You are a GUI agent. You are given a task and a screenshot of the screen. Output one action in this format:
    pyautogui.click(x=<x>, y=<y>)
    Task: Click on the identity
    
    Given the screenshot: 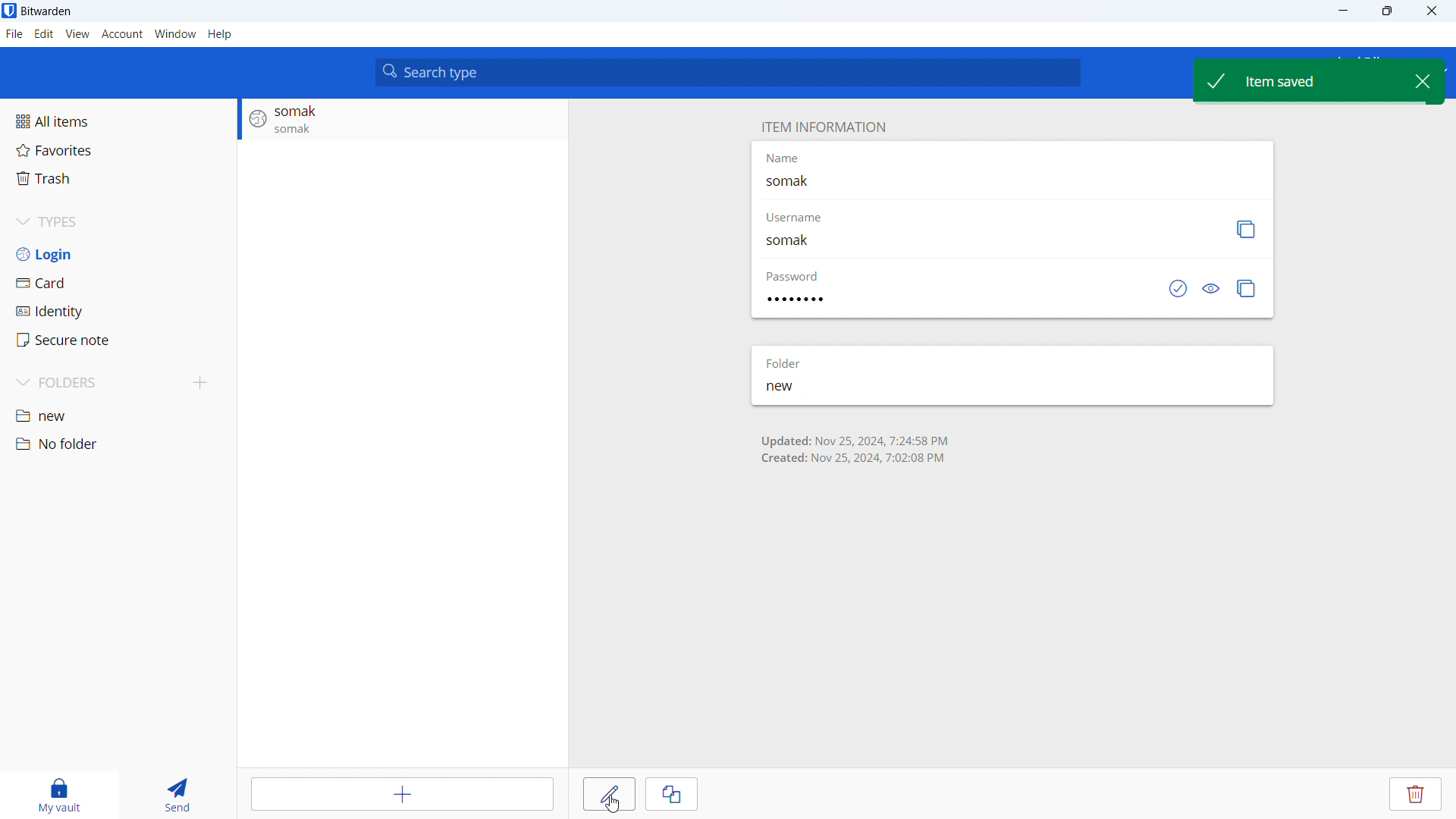 What is the action you would take?
    pyautogui.click(x=118, y=311)
    